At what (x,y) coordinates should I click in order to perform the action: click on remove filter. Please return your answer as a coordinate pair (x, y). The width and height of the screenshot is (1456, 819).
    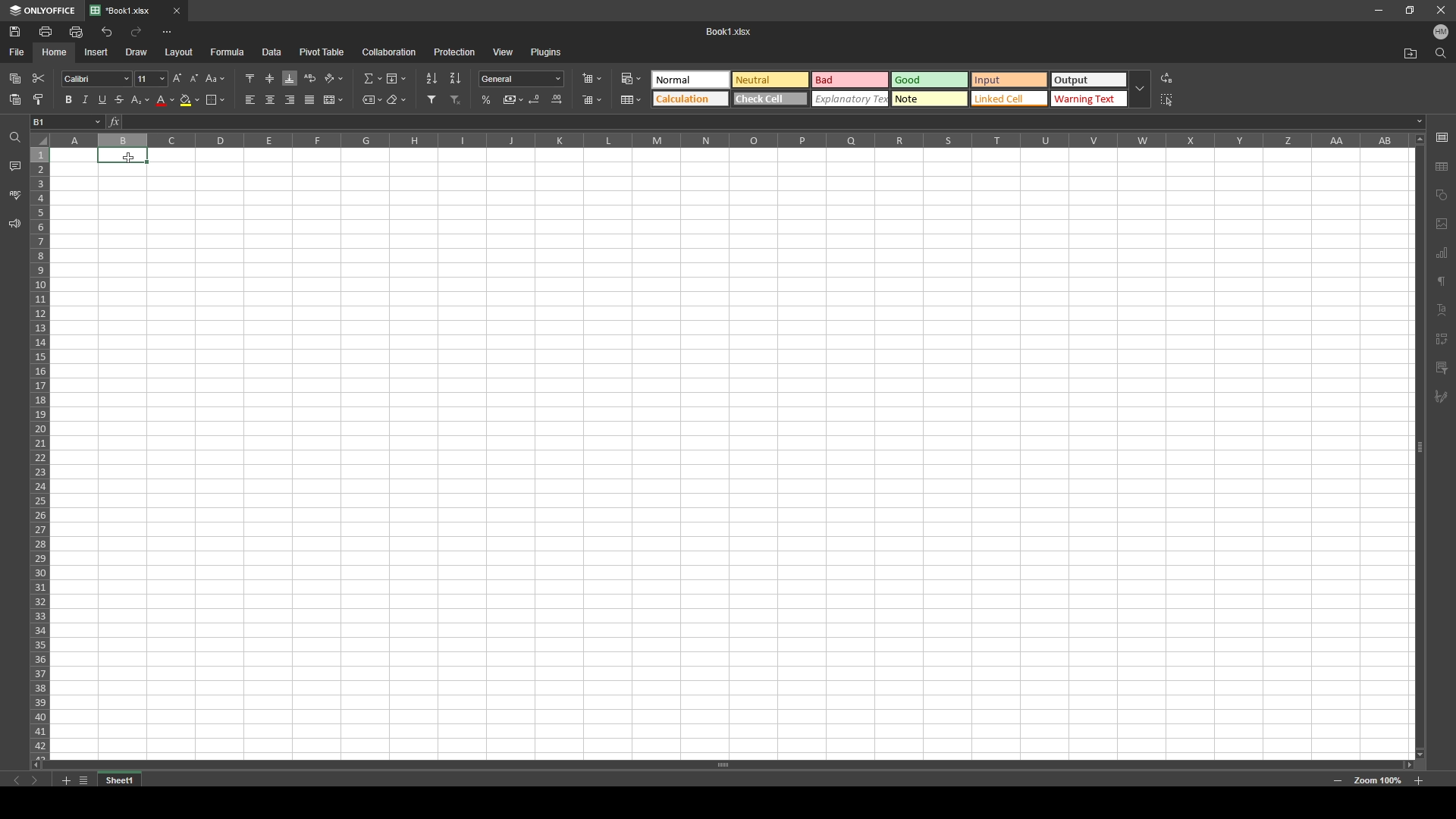
    Looking at the image, I should click on (457, 100).